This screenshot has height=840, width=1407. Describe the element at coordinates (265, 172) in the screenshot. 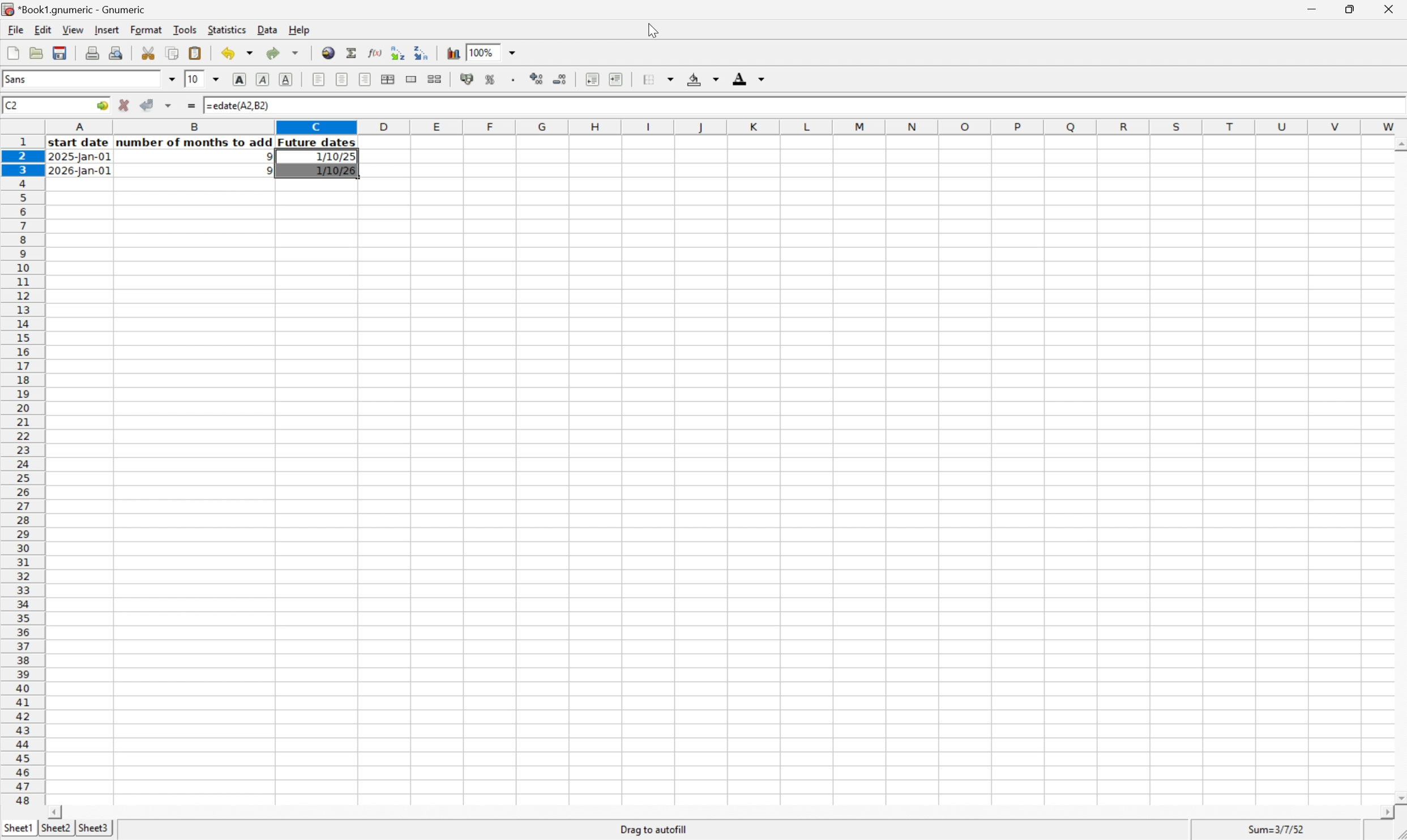

I see `9` at that location.